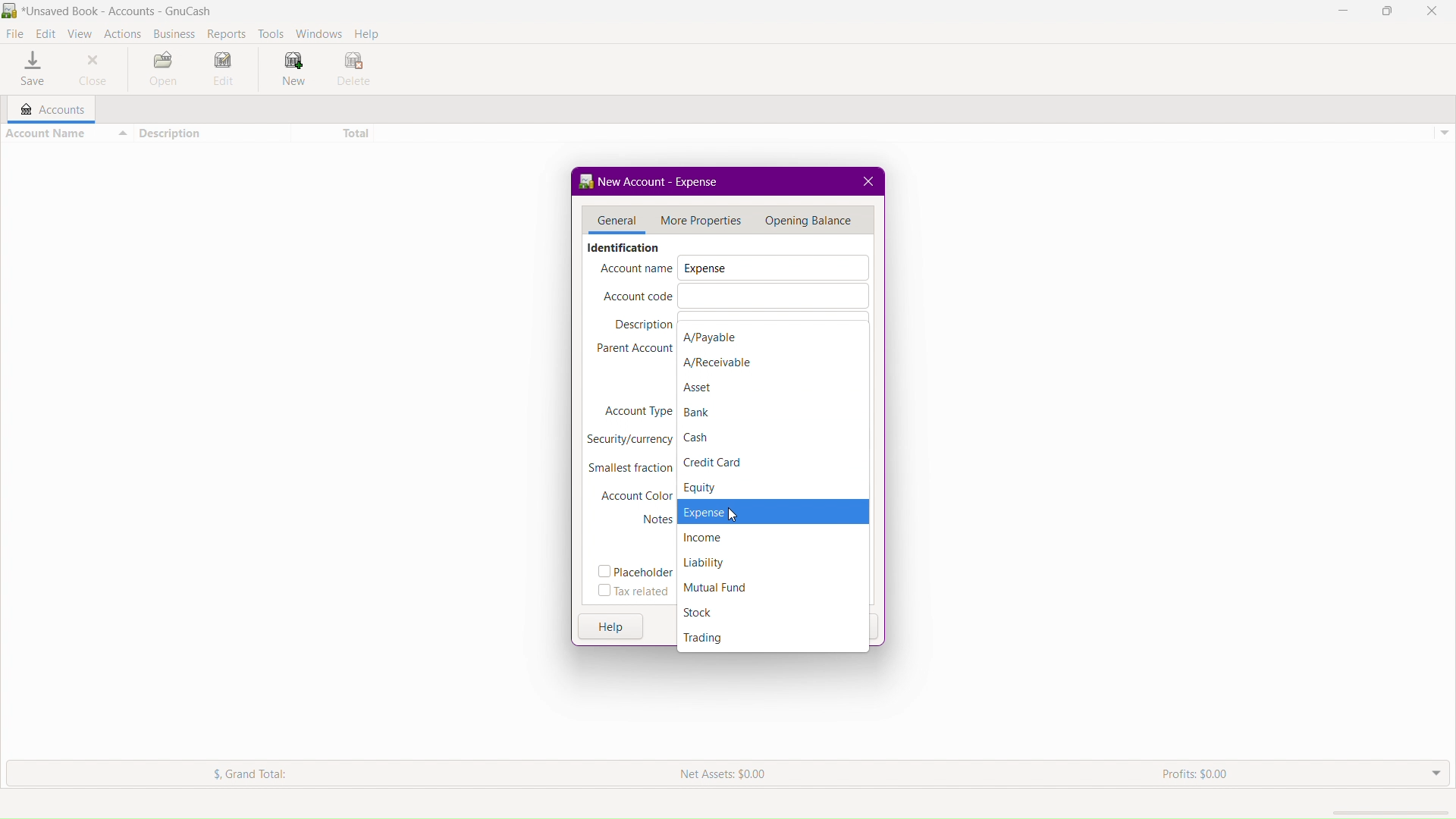  What do you see at coordinates (67, 133) in the screenshot?
I see `Account Name` at bounding box center [67, 133].